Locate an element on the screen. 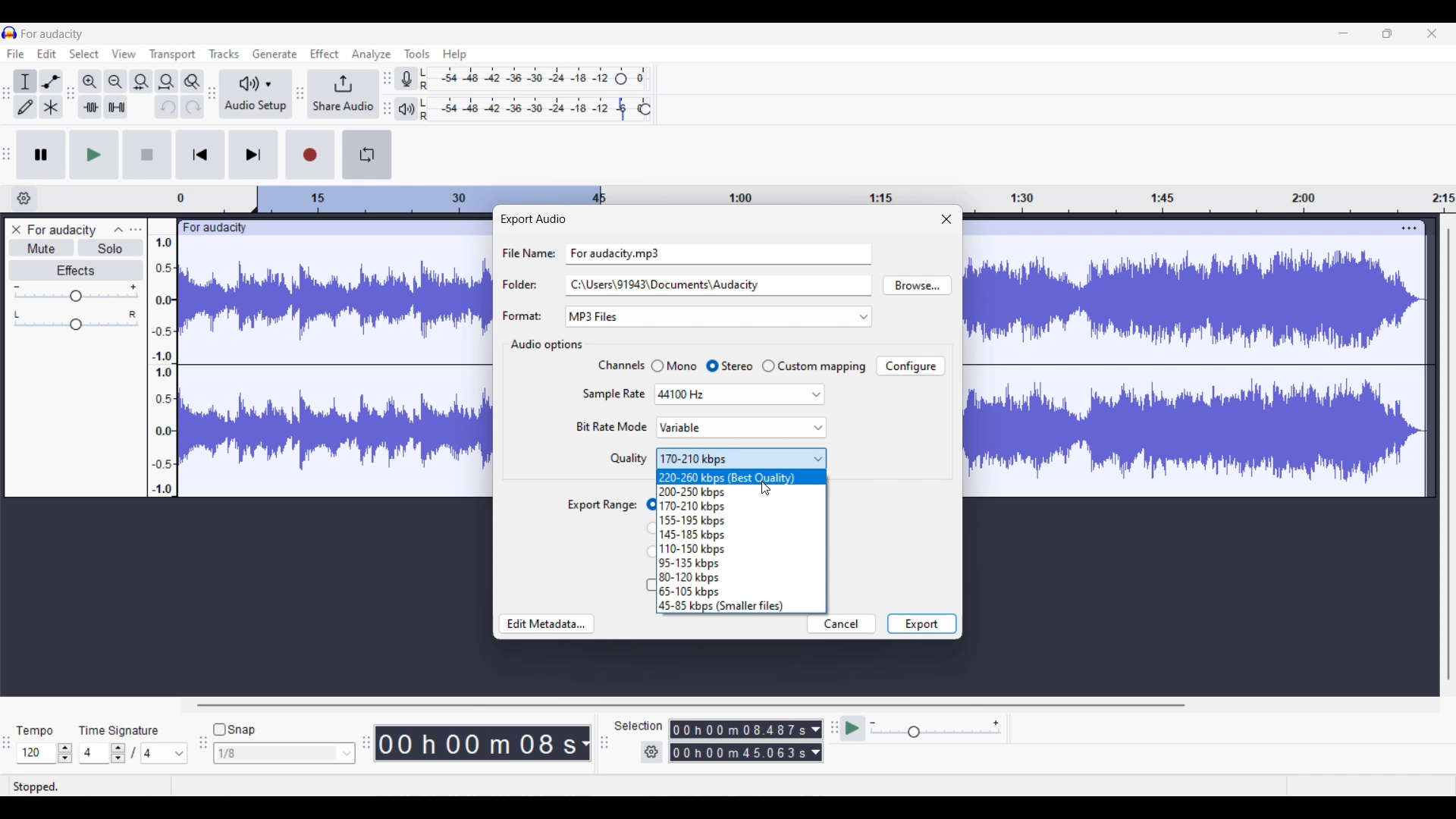 This screenshot has height=819, width=1456. Current selection is located at coordinates (681, 428).